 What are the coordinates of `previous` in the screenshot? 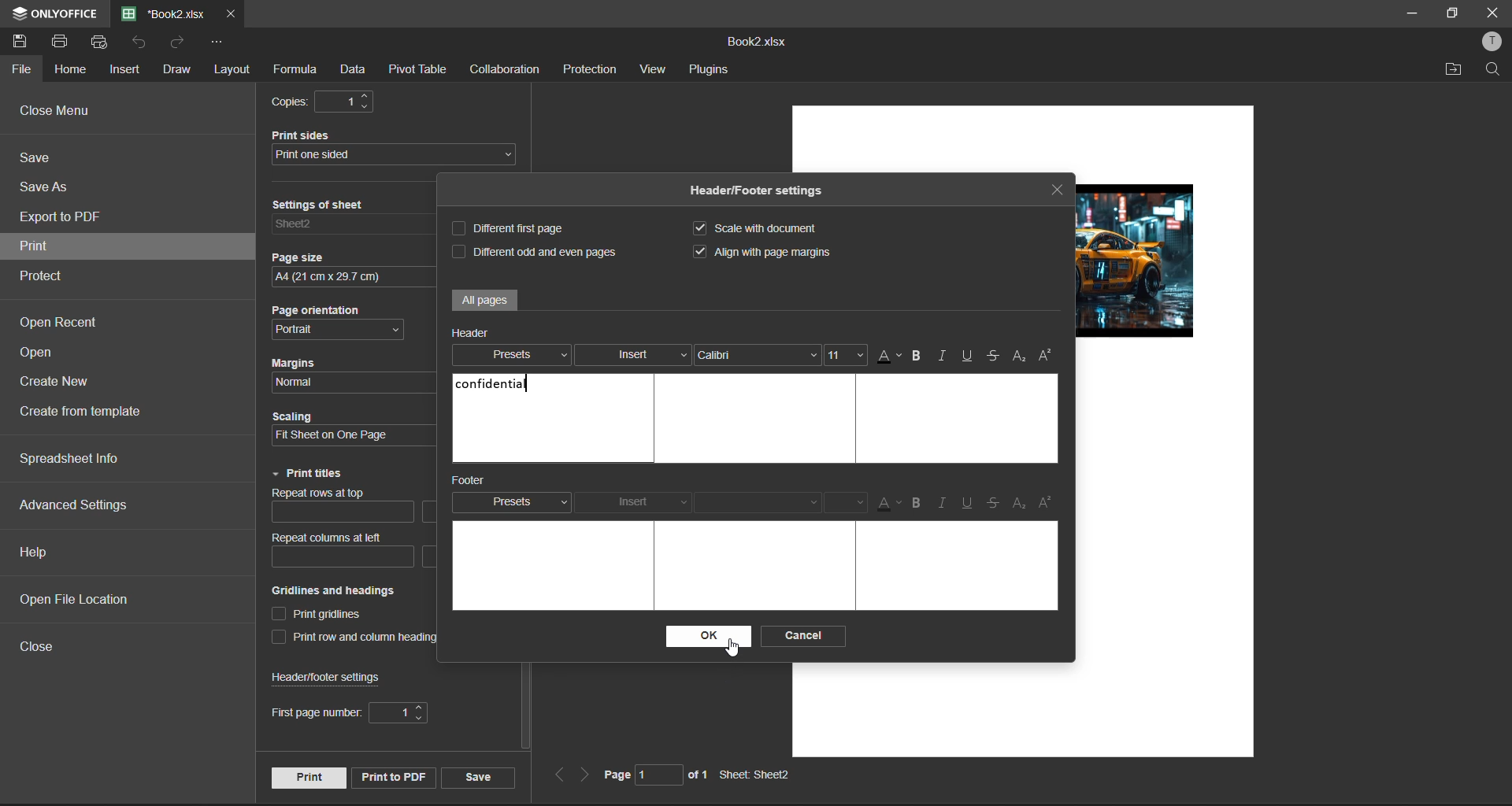 It's located at (559, 775).